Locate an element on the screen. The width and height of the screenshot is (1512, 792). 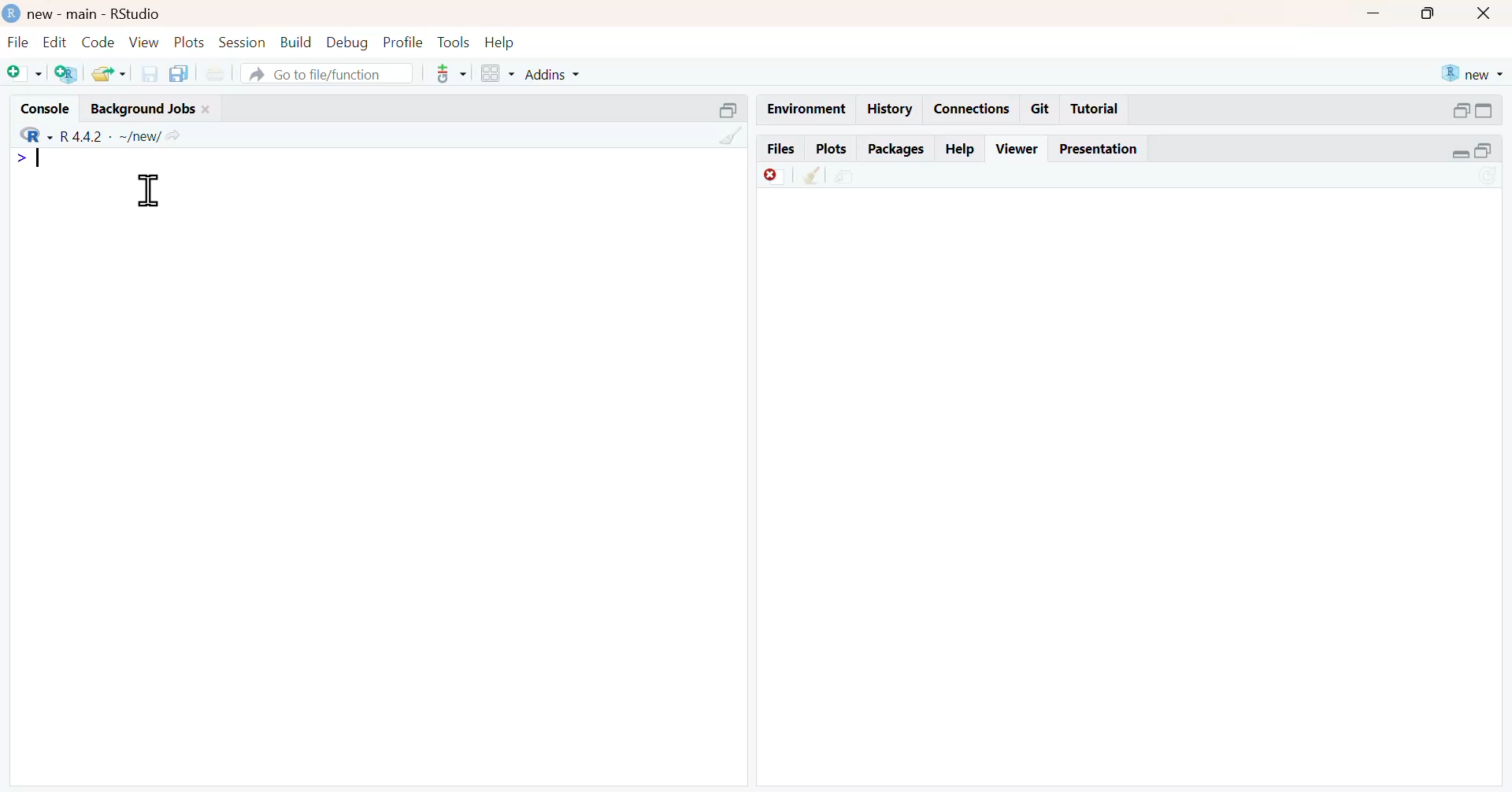
git pane is located at coordinates (451, 76).